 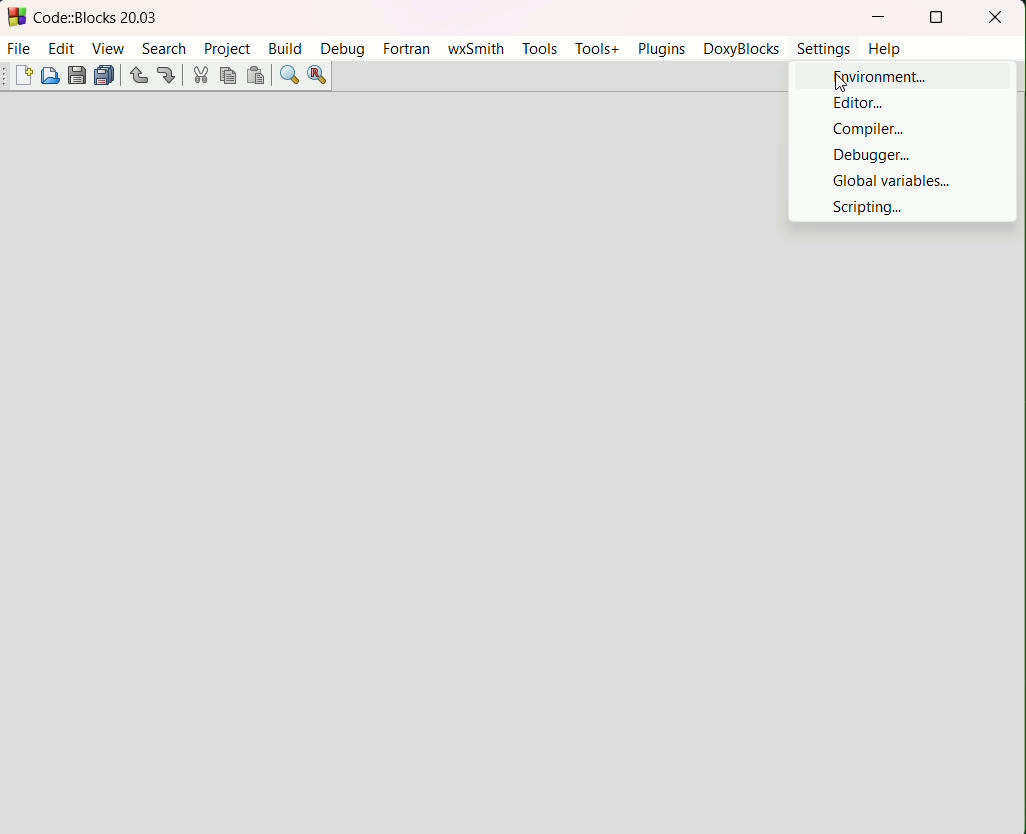 What do you see at coordinates (743, 50) in the screenshot?
I see `doxyblocks` at bounding box center [743, 50].